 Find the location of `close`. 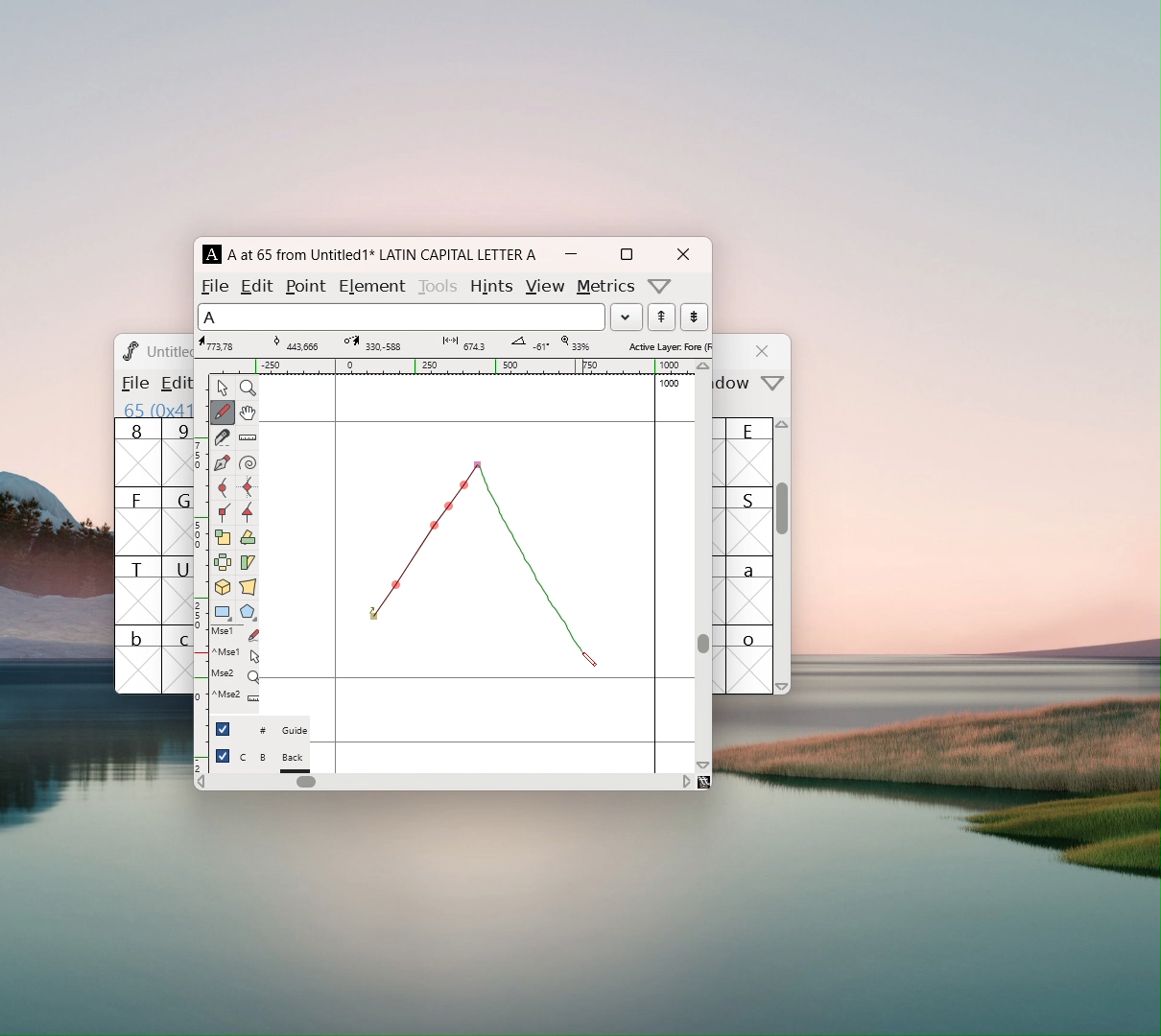

close is located at coordinates (765, 351).